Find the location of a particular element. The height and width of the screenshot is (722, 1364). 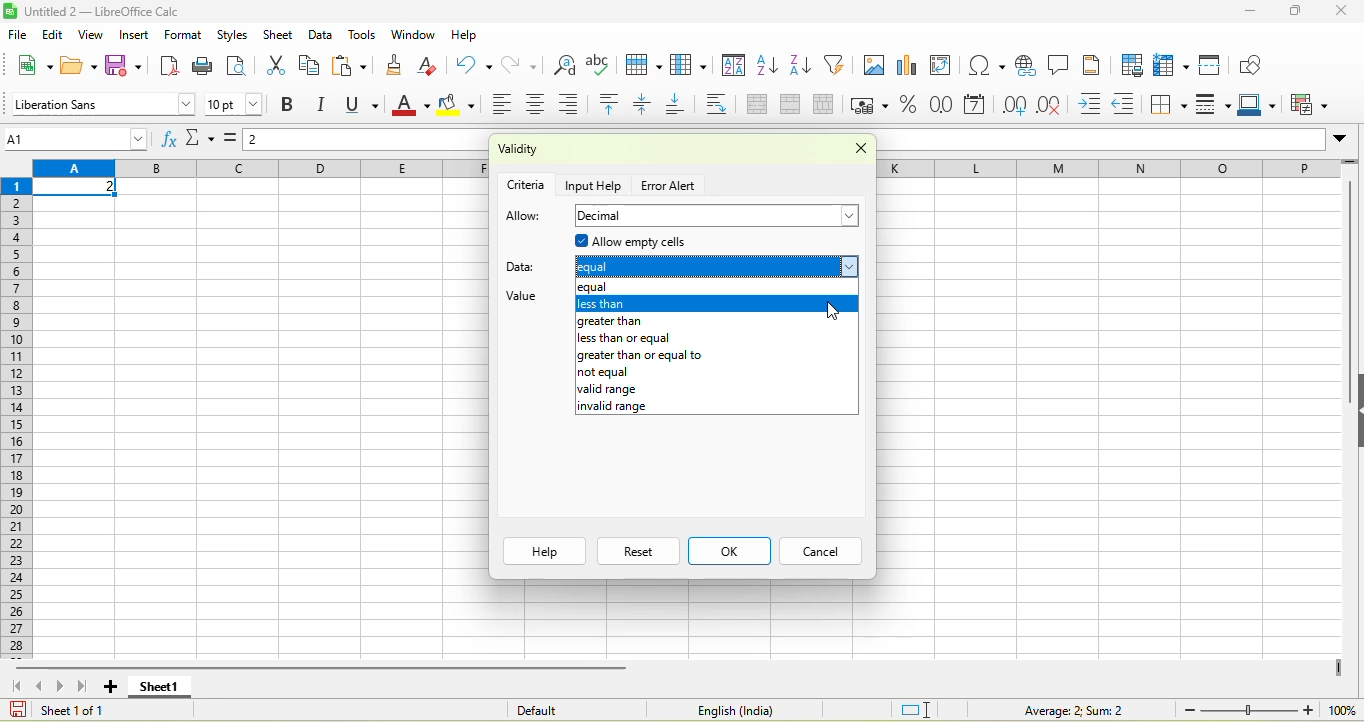

zoom is located at coordinates (1249, 709).